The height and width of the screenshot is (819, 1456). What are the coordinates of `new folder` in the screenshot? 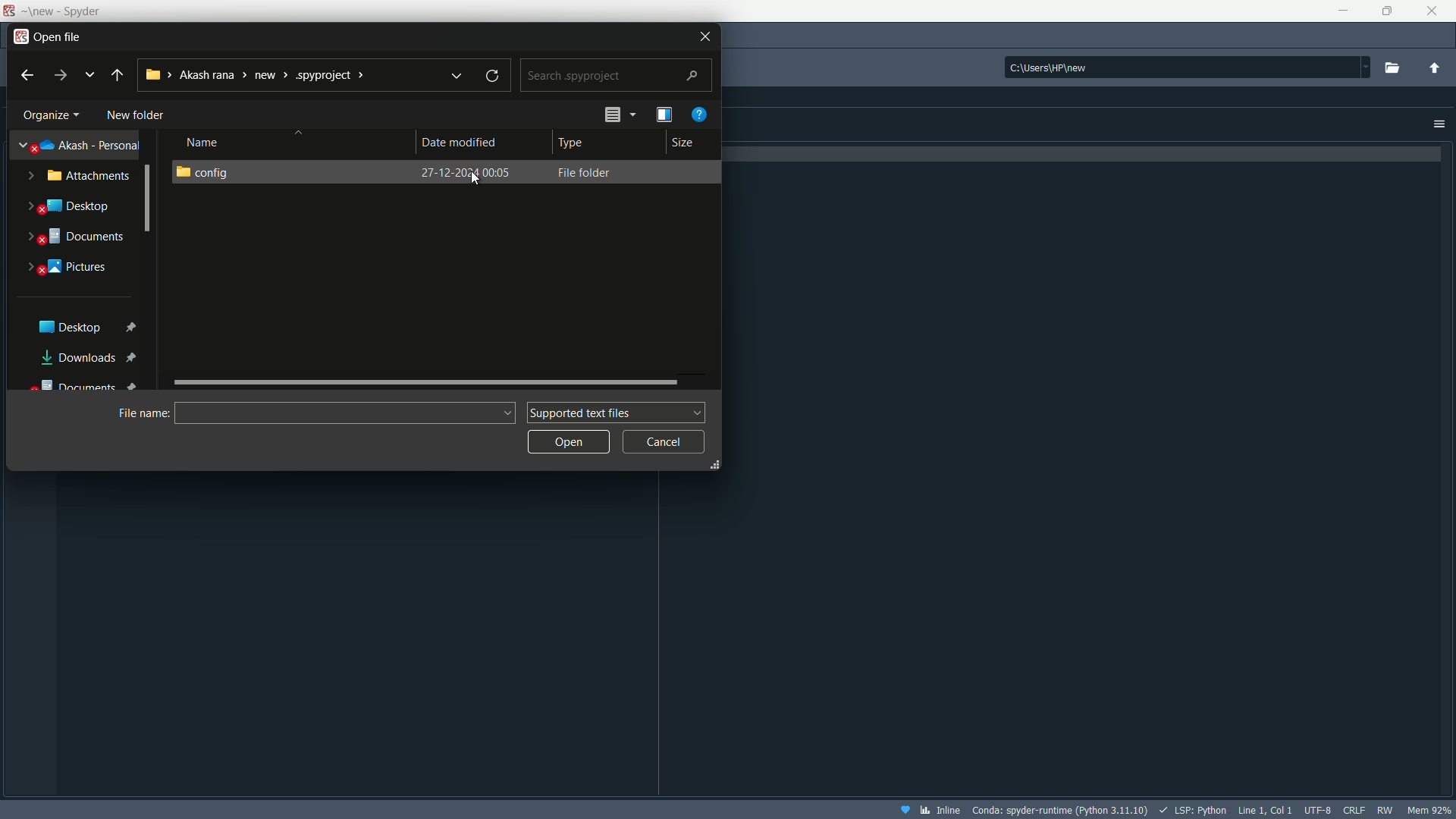 It's located at (137, 114).